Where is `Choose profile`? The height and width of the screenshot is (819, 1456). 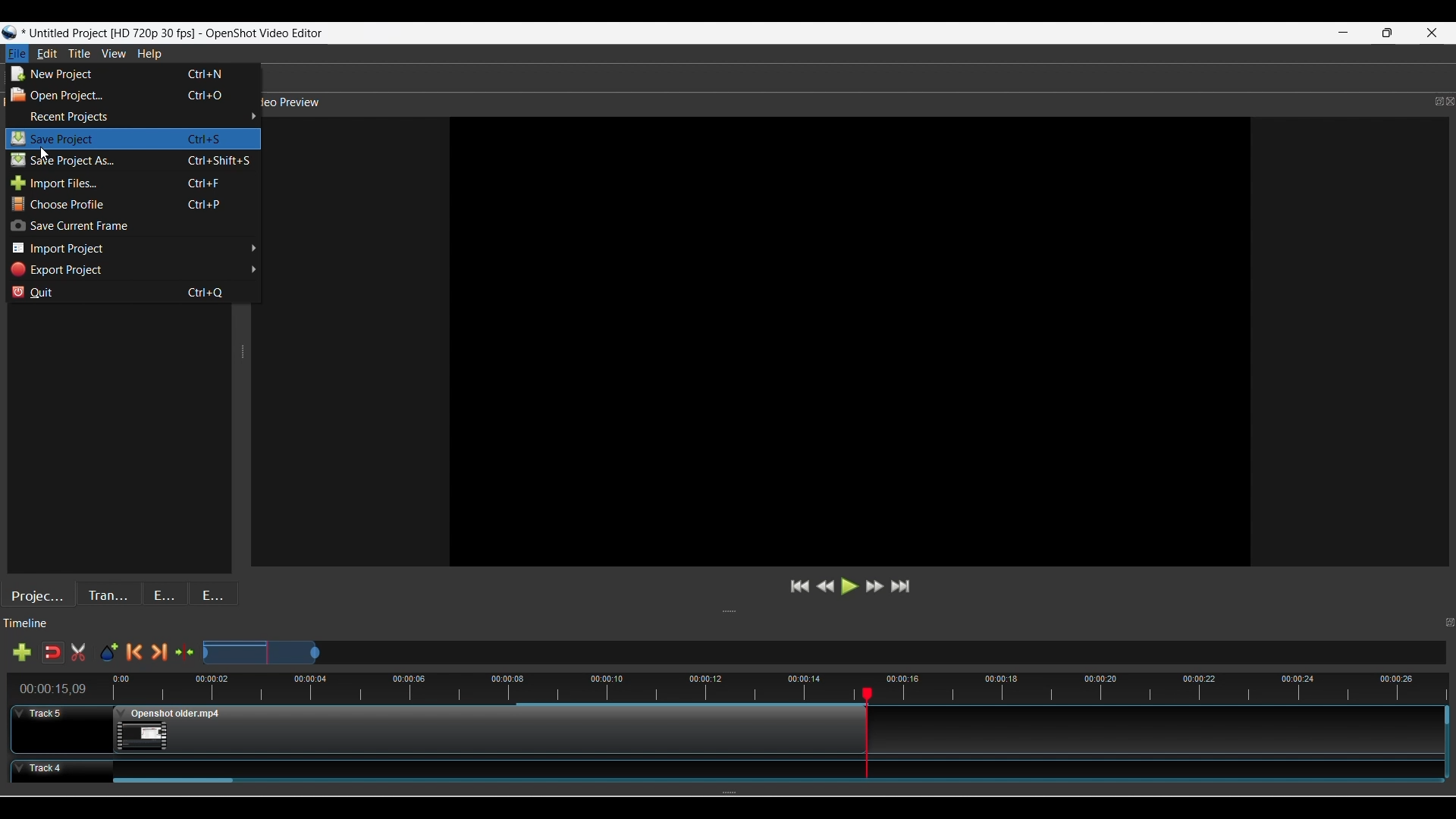 Choose profile is located at coordinates (133, 204).